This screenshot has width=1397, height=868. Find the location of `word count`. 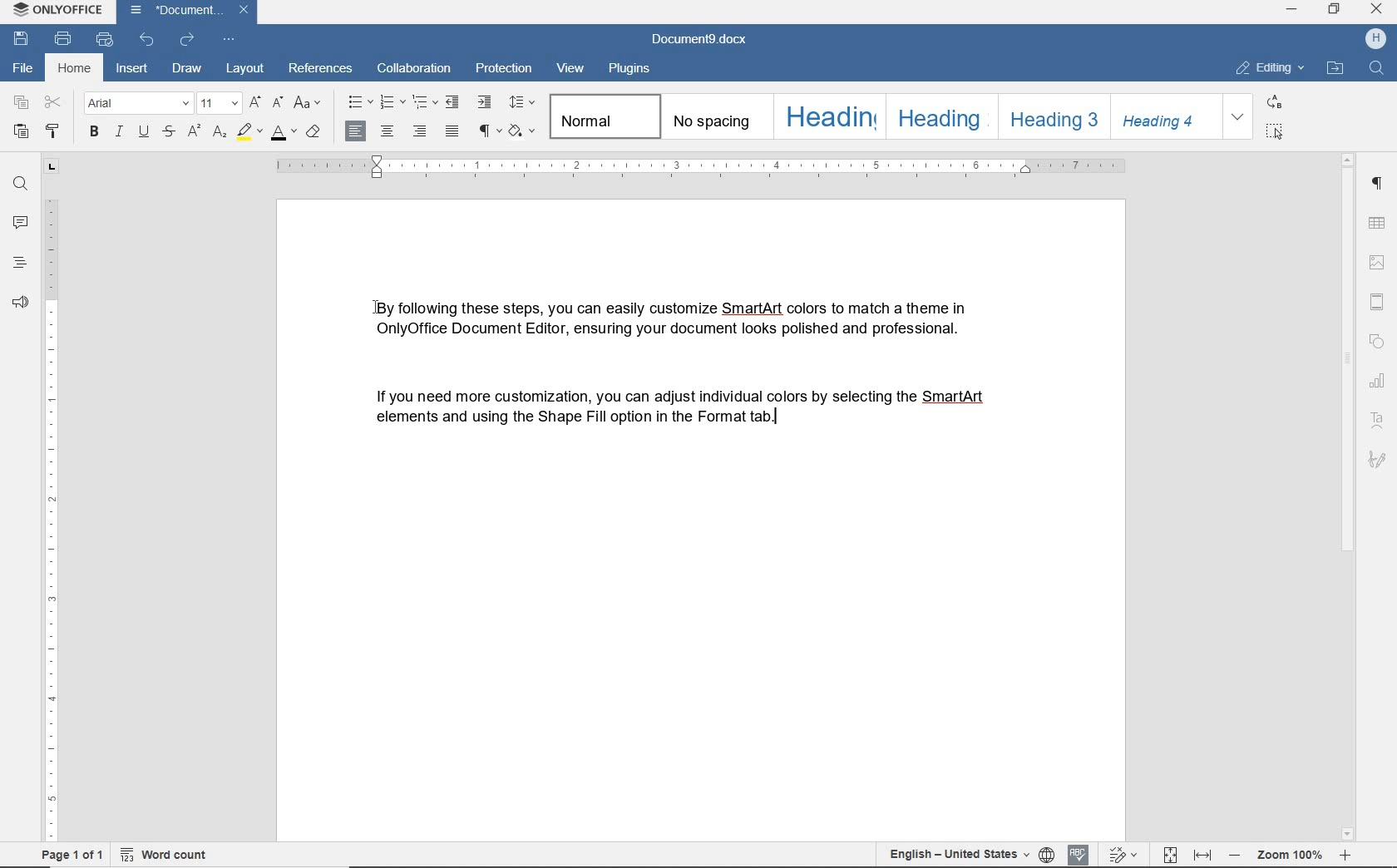

word count is located at coordinates (167, 854).